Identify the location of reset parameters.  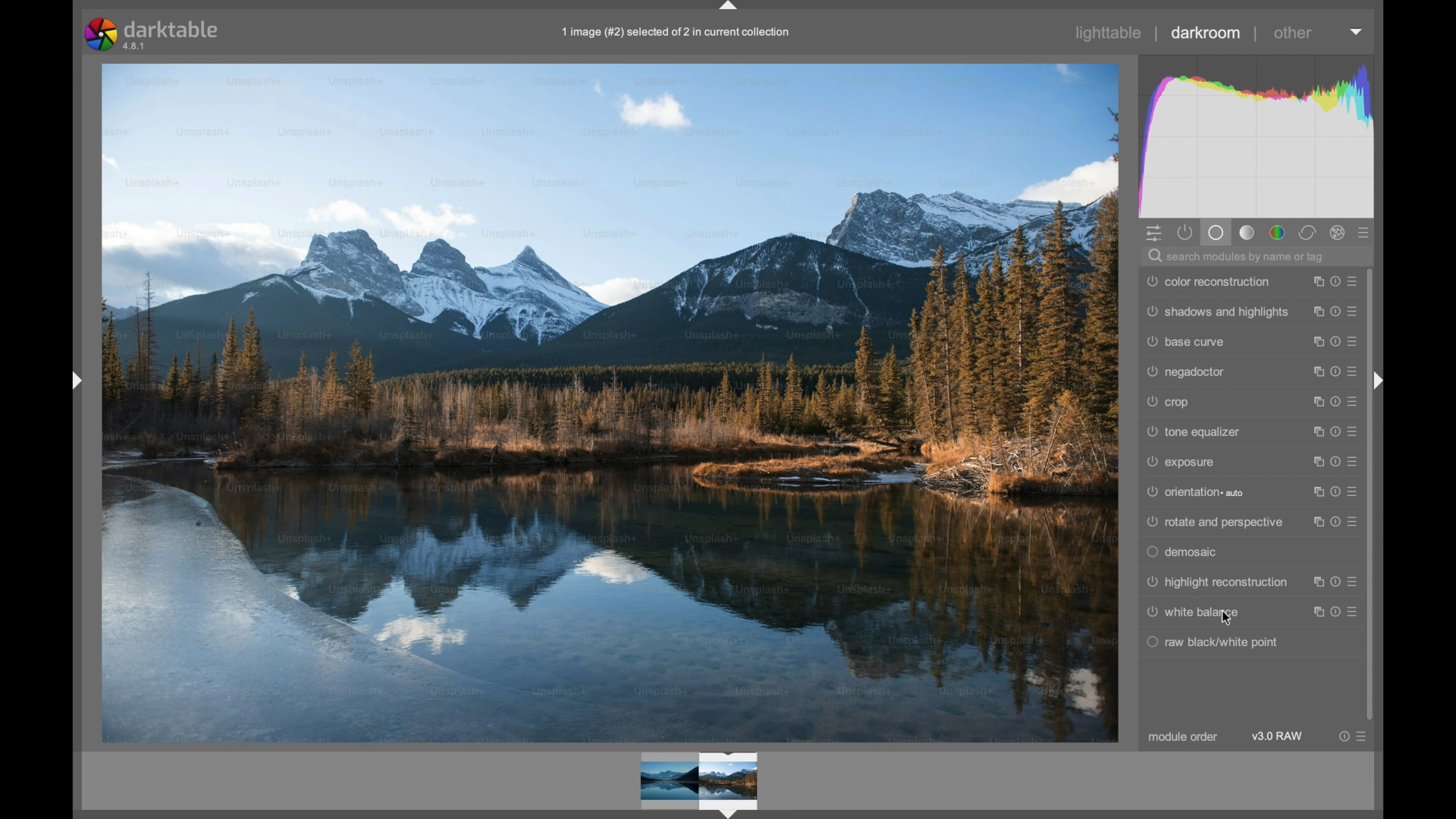
(1335, 401).